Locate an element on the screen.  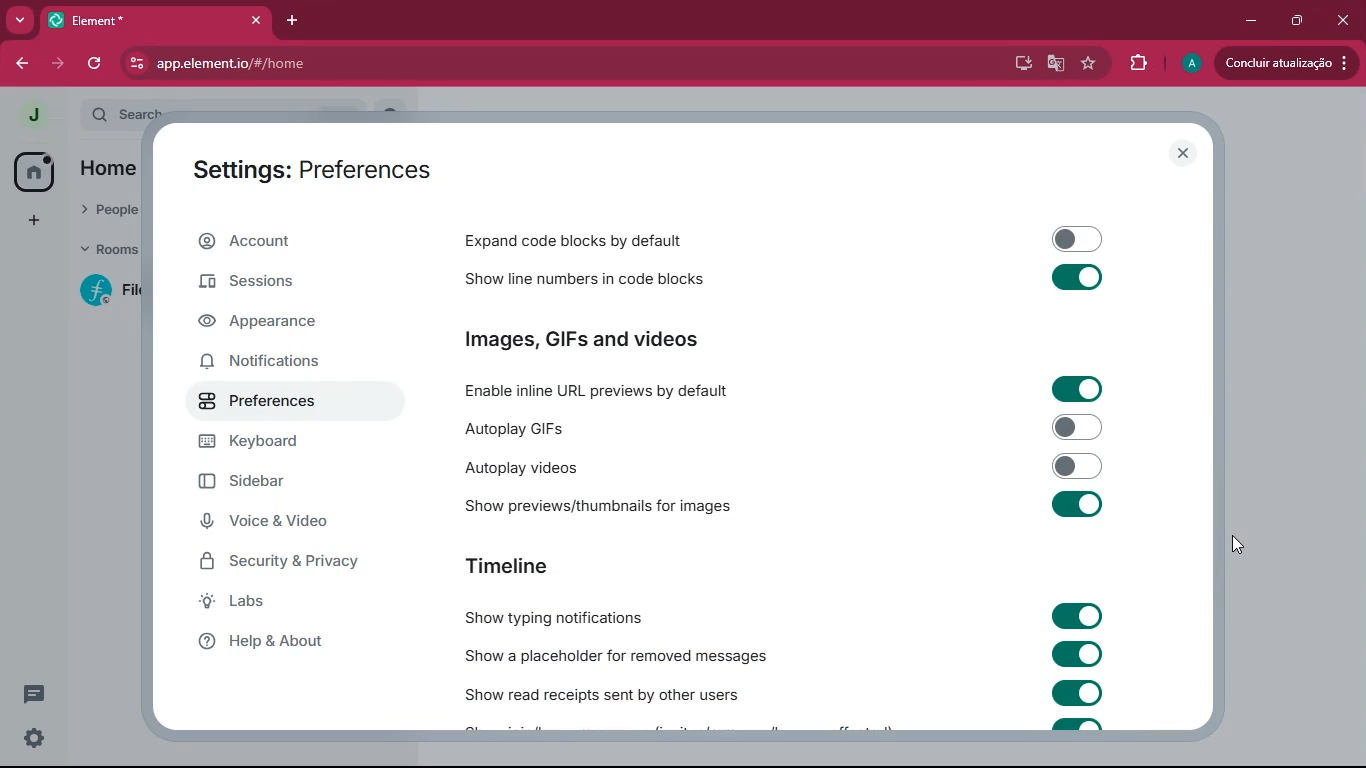
show typing notifications is located at coordinates (554, 614).